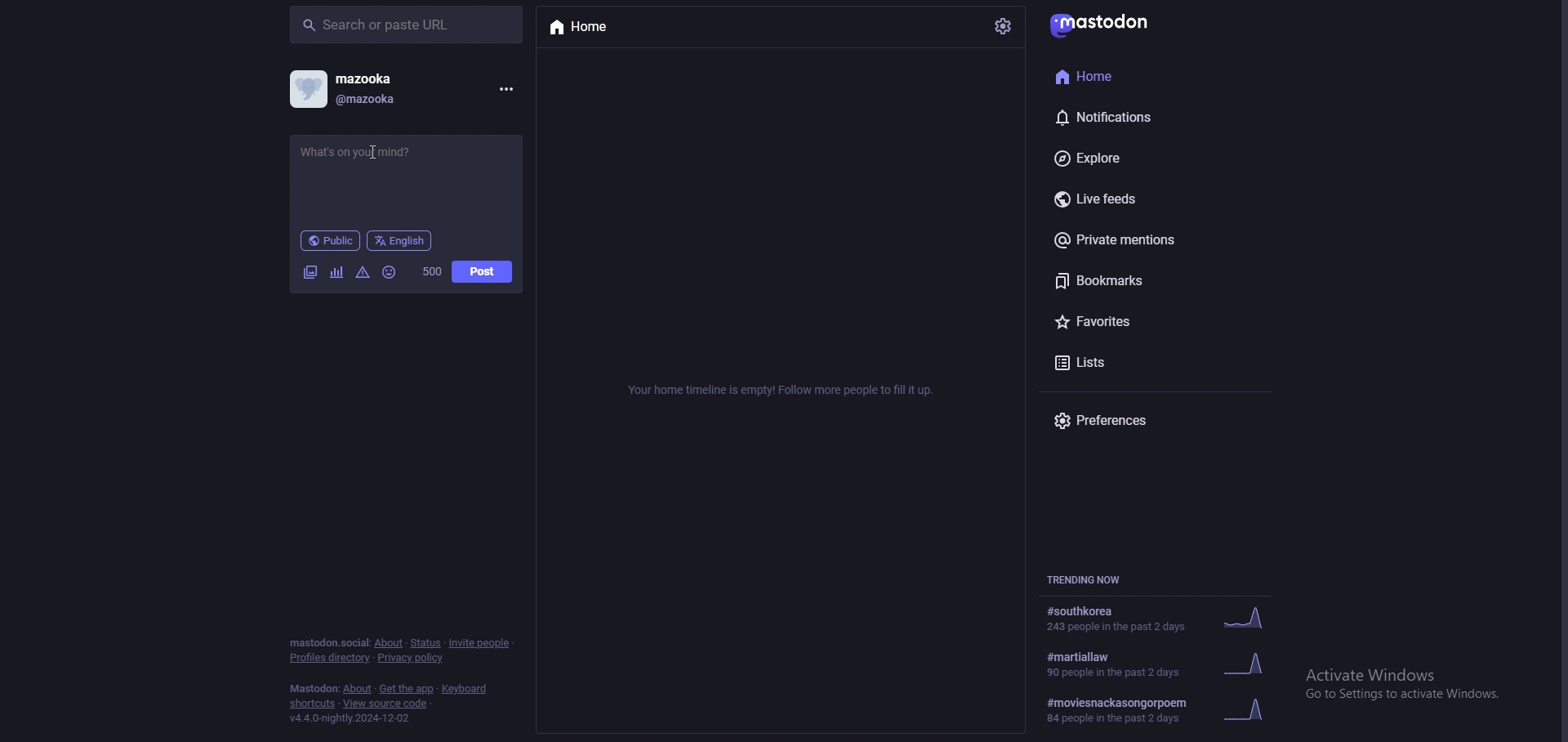 The width and height of the screenshot is (1568, 742). What do you see at coordinates (1089, 579) in the screenshot?
I see `trending now` at bounding box center [1089, 579].